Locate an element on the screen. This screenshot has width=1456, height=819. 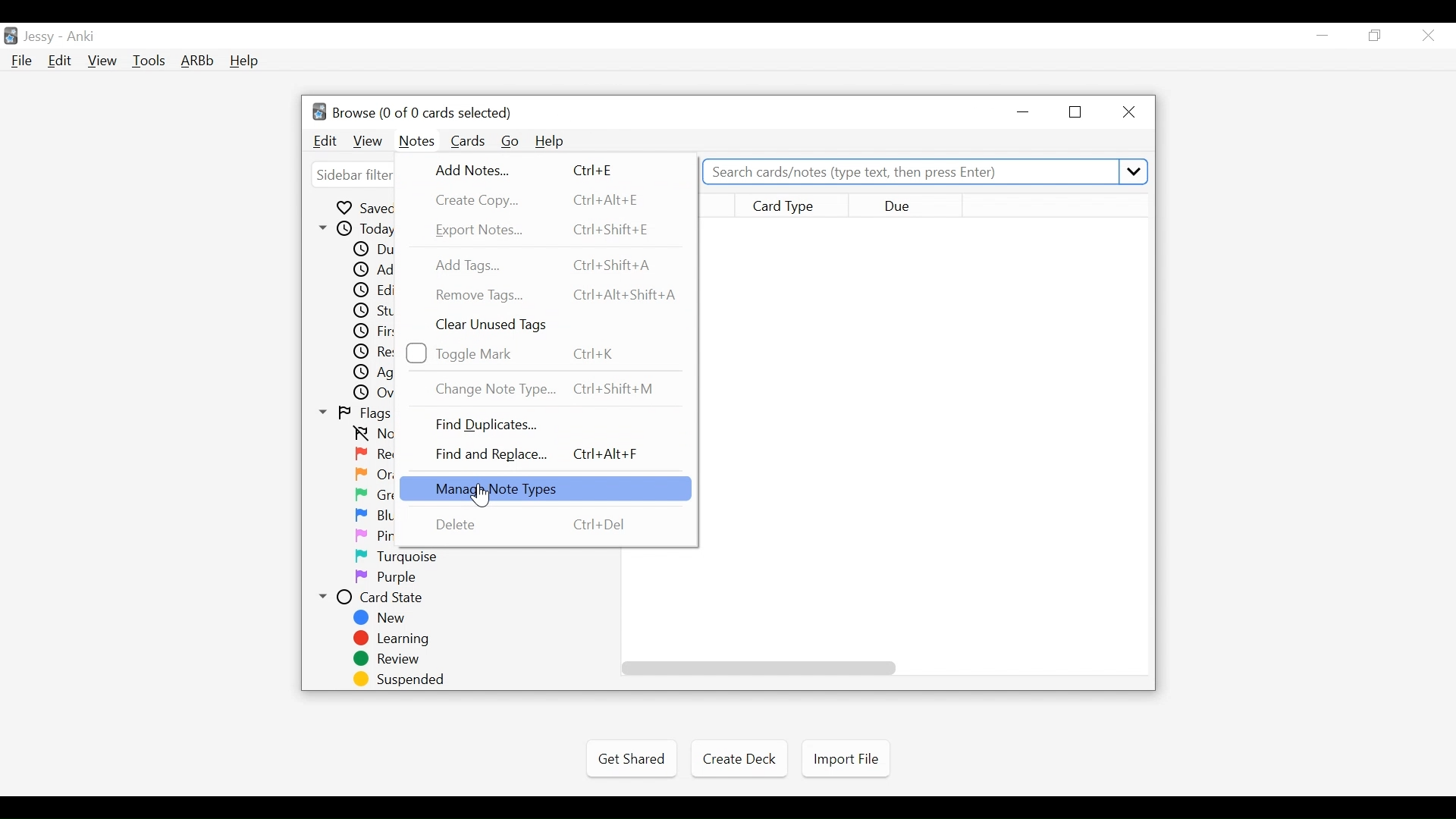
Search Results is located at coordinates (925, 442).